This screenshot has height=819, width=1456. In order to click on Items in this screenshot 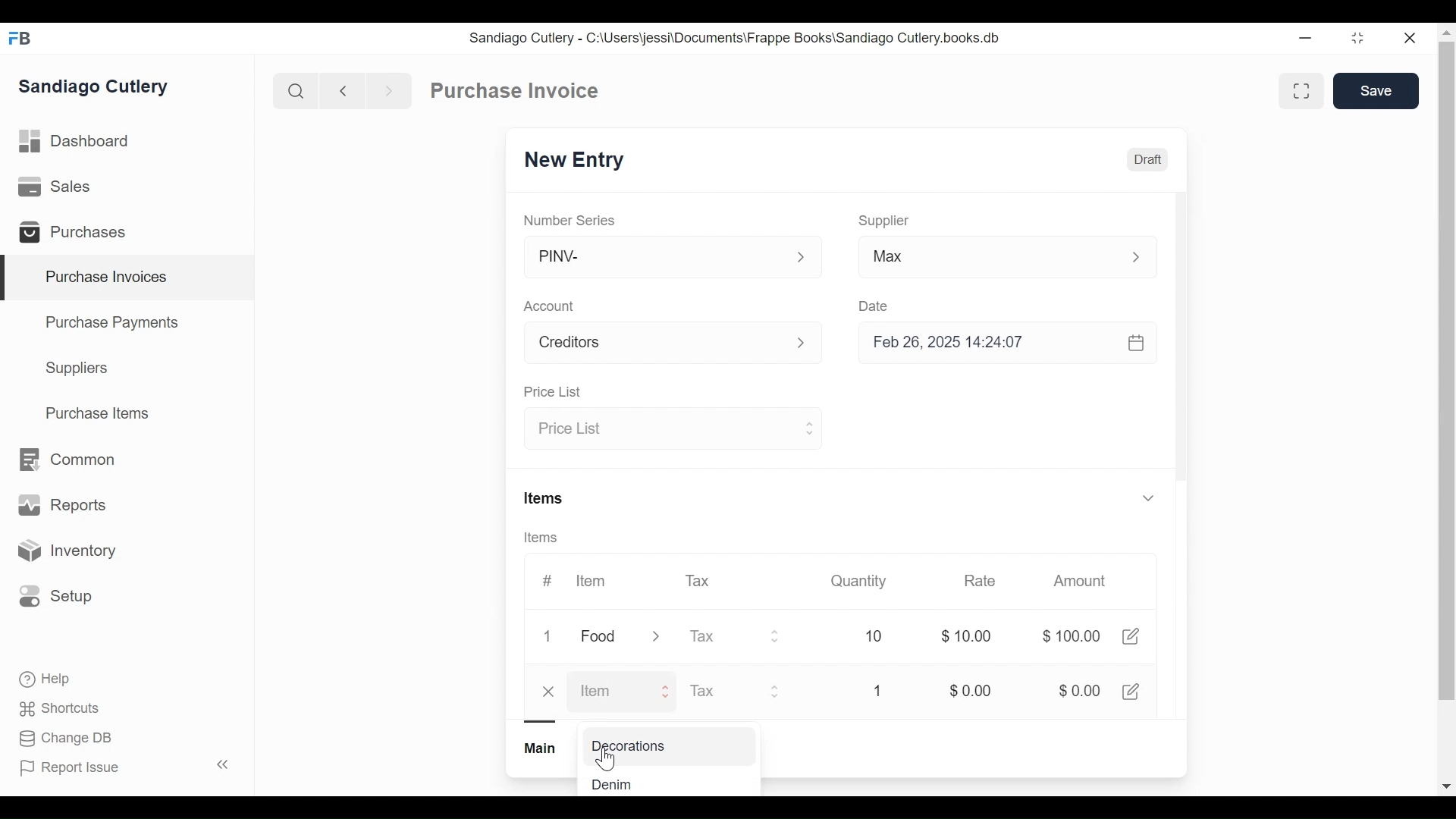, I will do `click(540, 537)`.